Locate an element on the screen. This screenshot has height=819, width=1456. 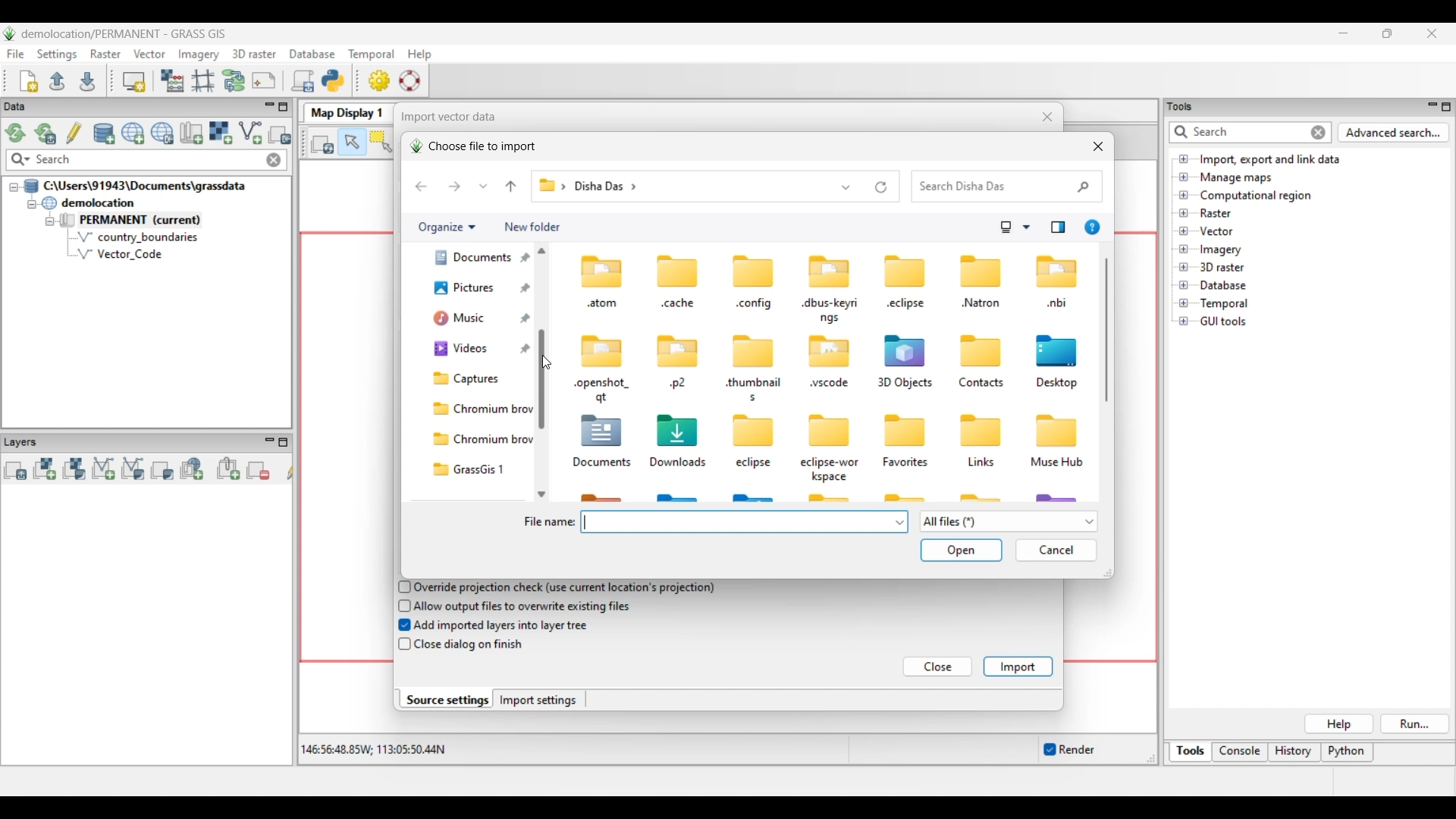
Graphical Modeler is located at coordinates (234, 80).